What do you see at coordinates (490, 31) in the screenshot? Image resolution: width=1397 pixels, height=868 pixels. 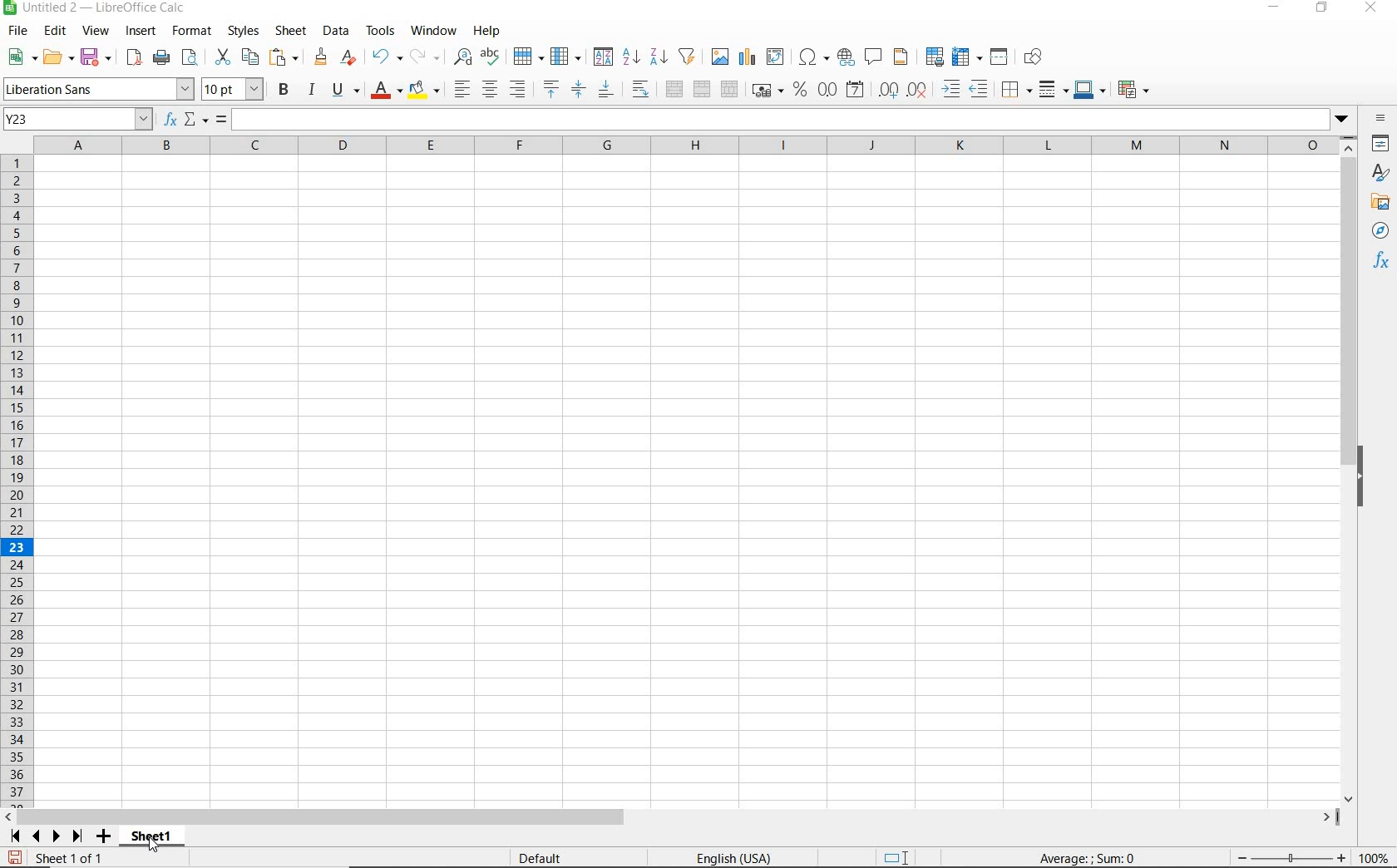 I see `HELP` at bounding box center [490, 31].